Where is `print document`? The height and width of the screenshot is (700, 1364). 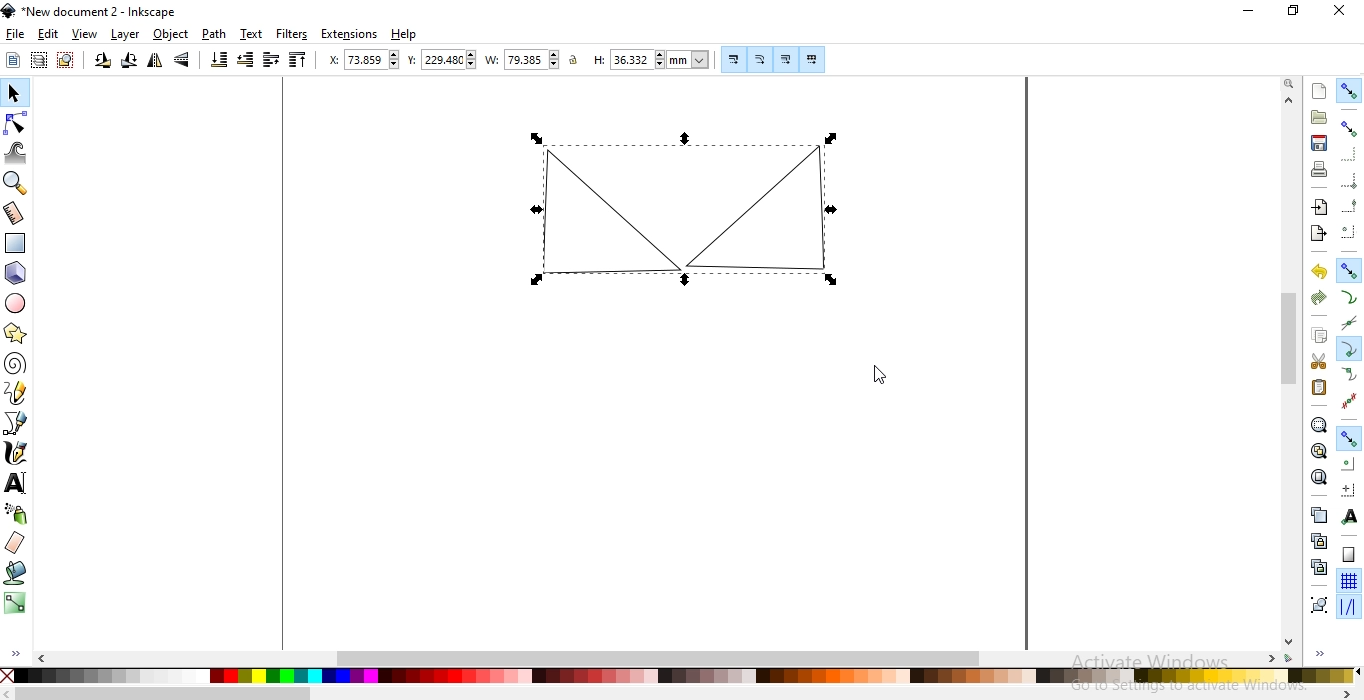
print document is located at coordinates (1320, 168).